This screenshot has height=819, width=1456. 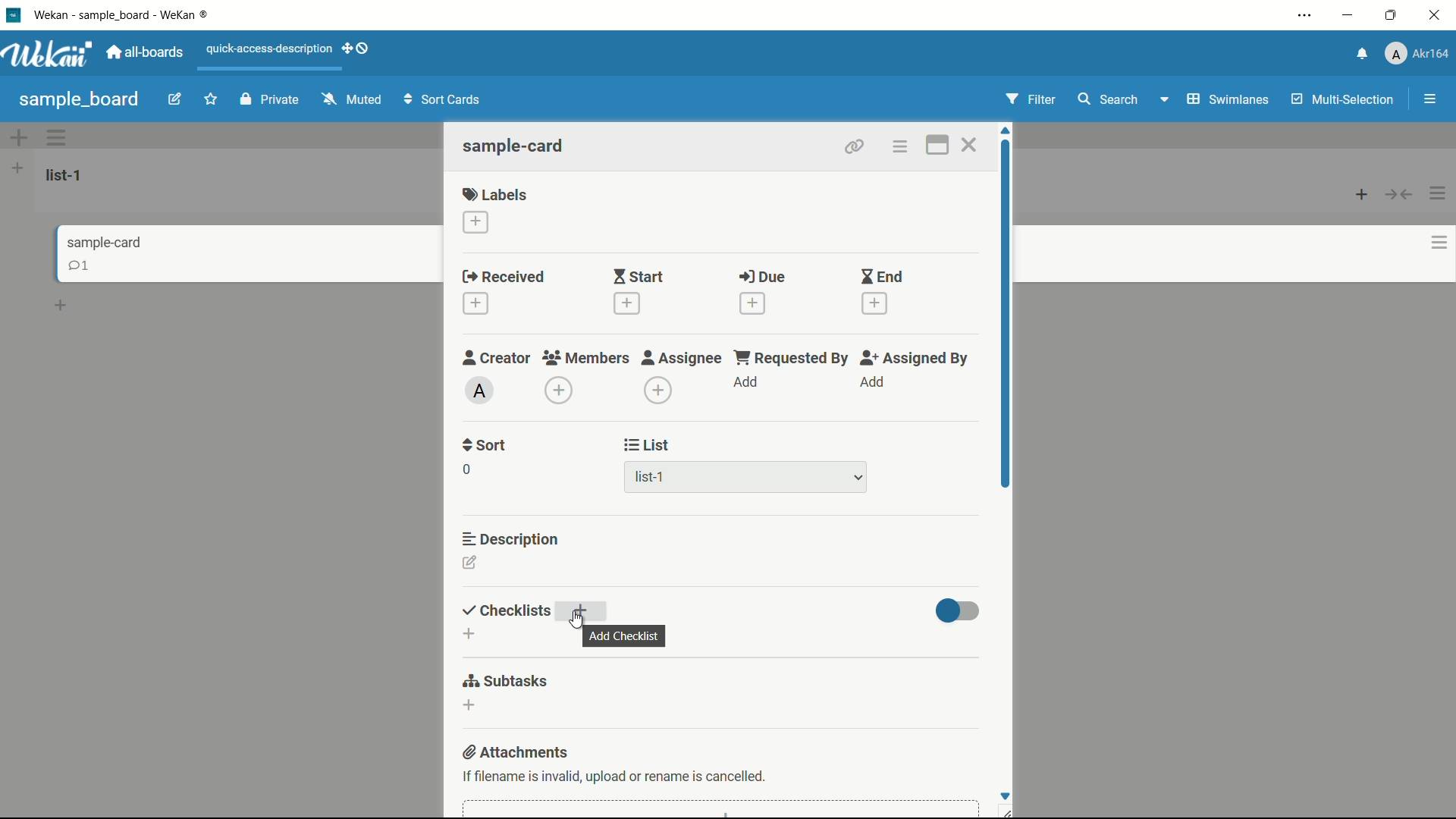 What do you see at coordinates (1441, 190) in the screenshot?
I see `options` at bounding box center [1441, 190].